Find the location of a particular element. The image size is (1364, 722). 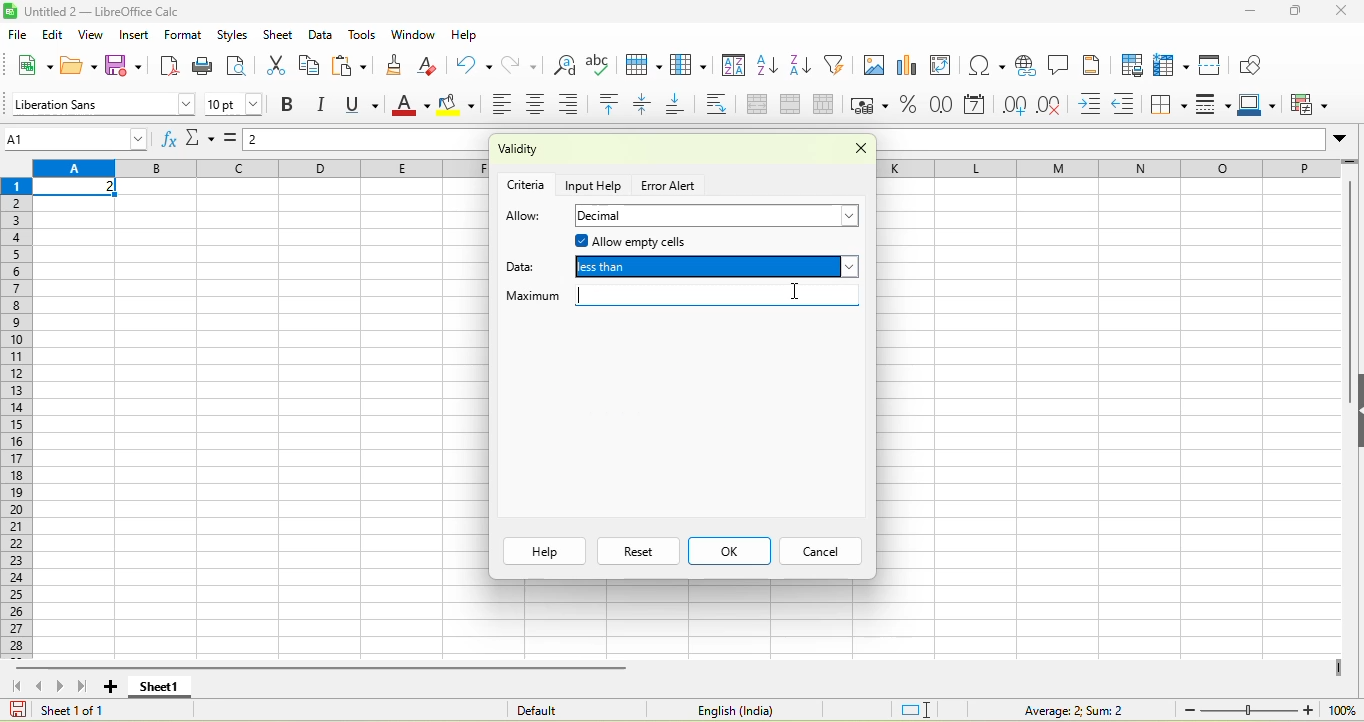

file is located at coordinates (16, 34).